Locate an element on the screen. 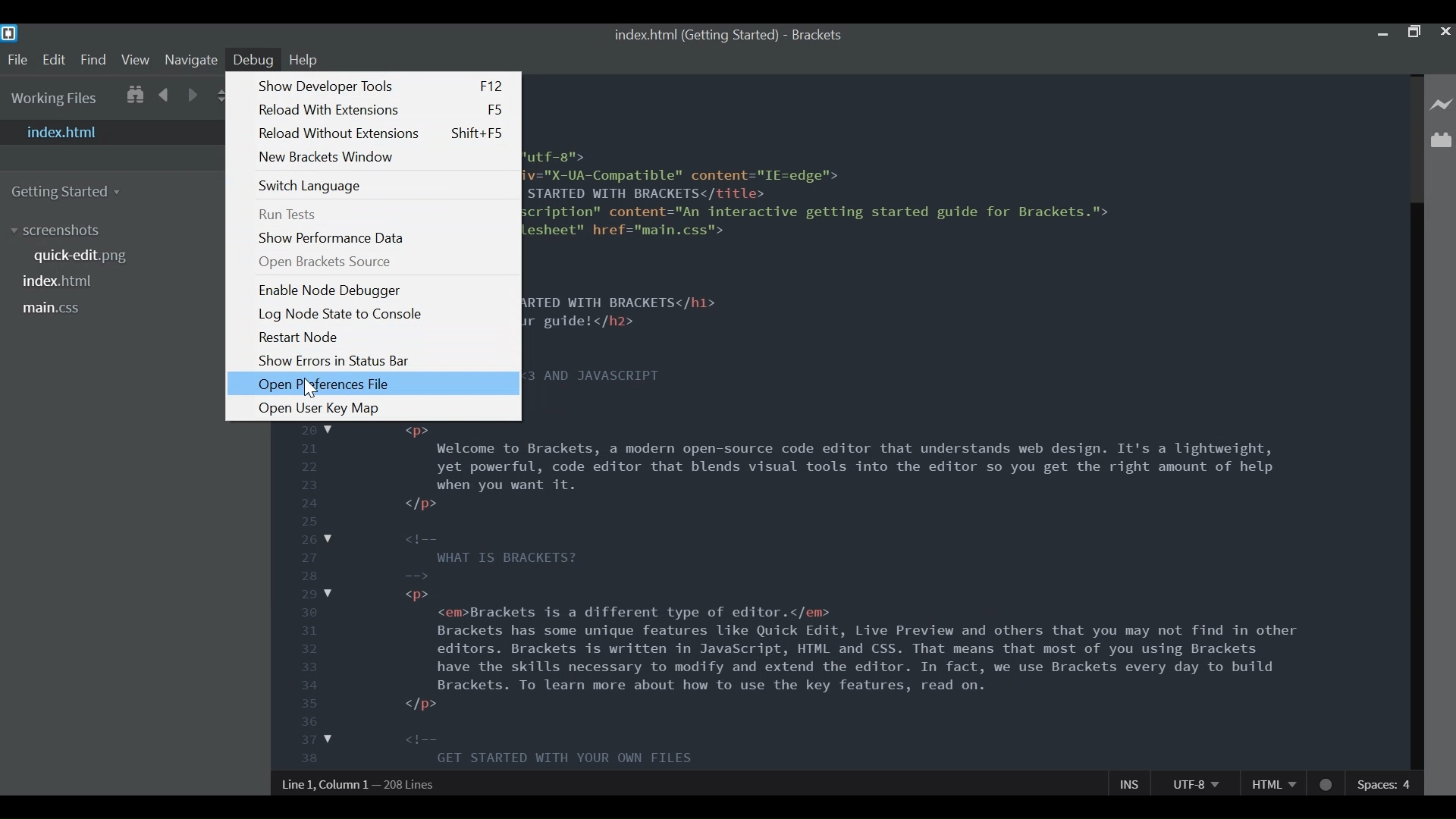 The width and height of the screenshot is (1456, 819). Show Errors in Status Bar is located at coordinates (336, 361).